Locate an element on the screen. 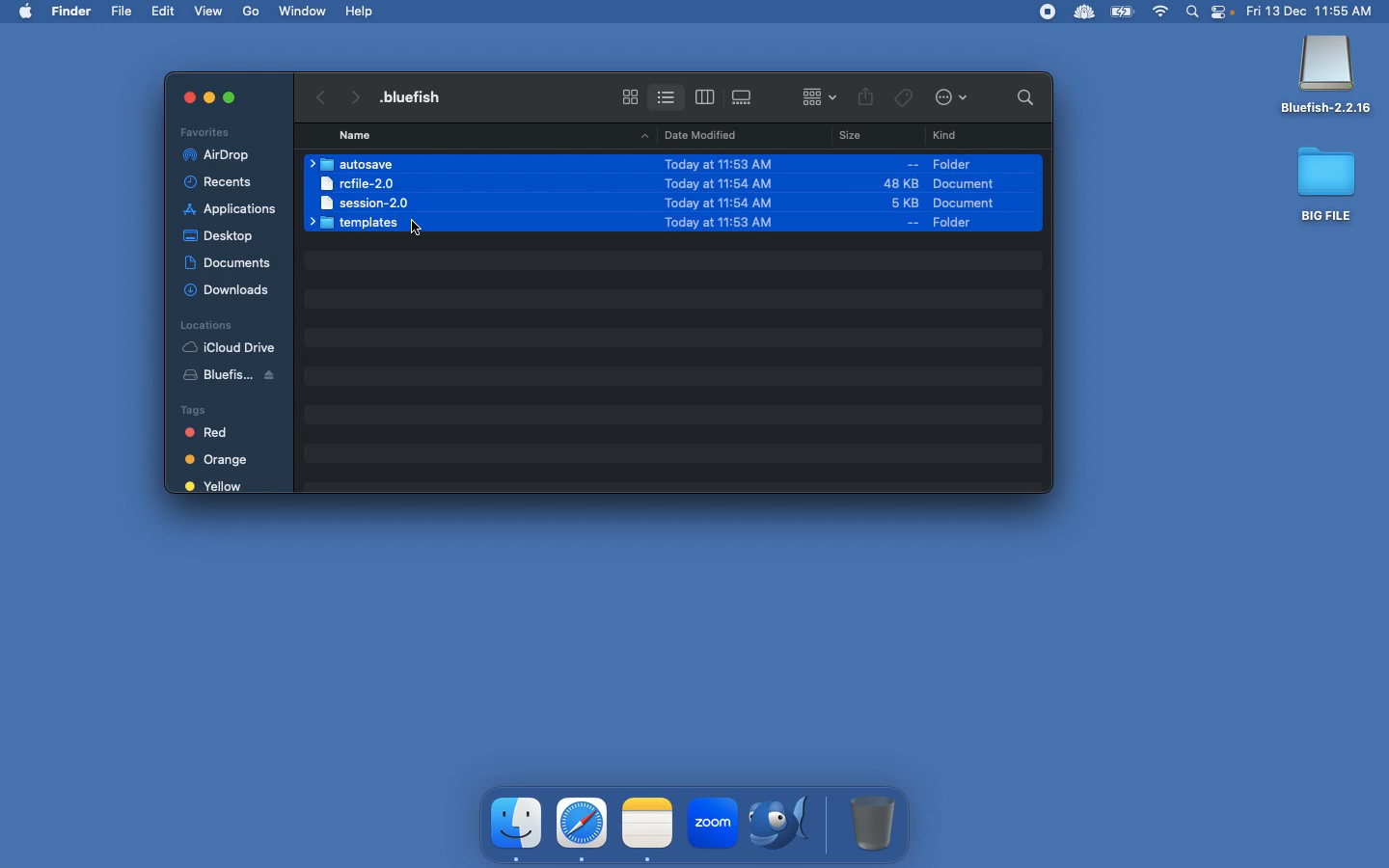  Bluefish is located at coordinates (785, 826).